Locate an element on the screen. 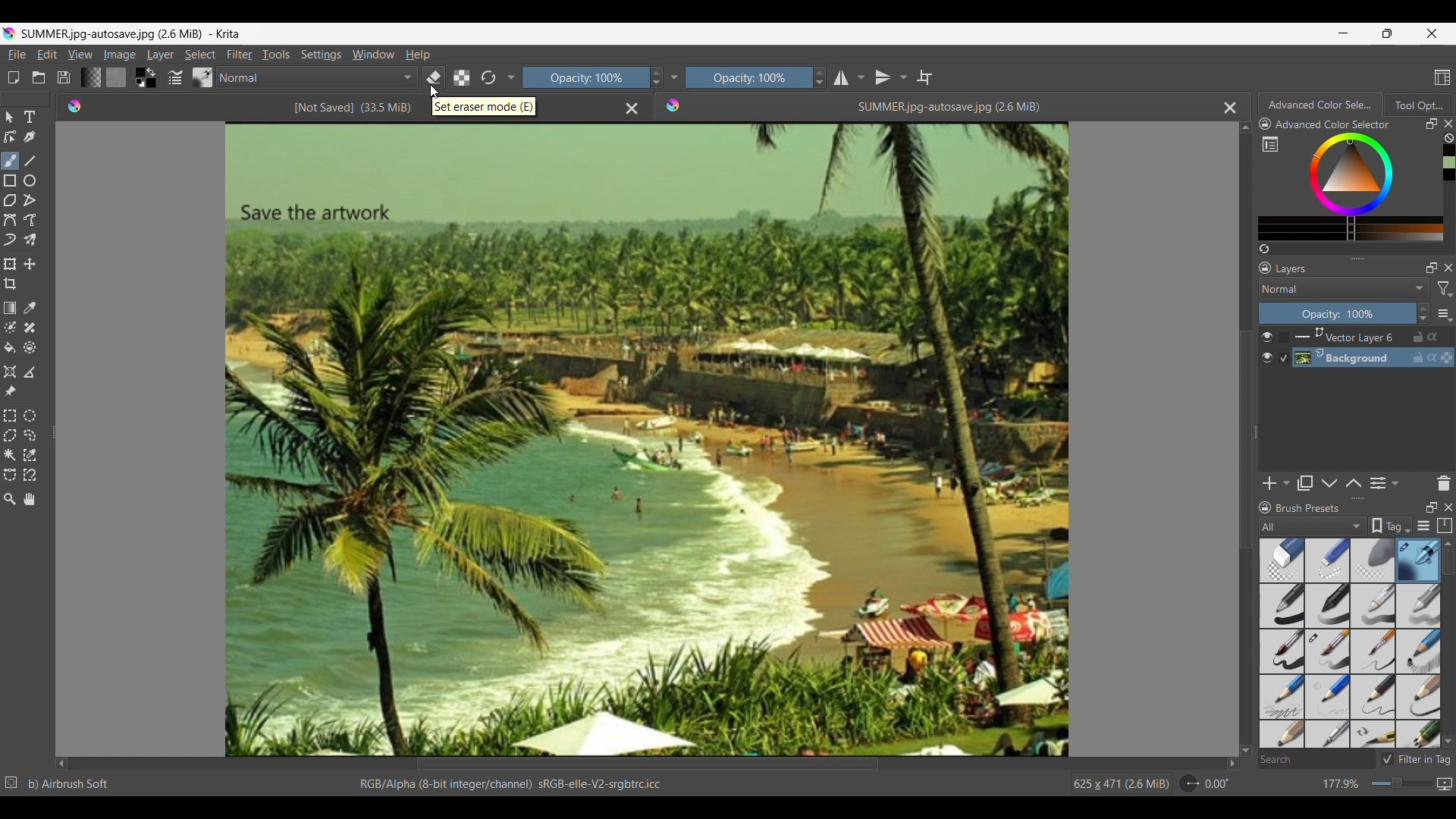 The width and height of the screenshot is (1456, 819). Multibrush tool is located at coordinates (30, 240).